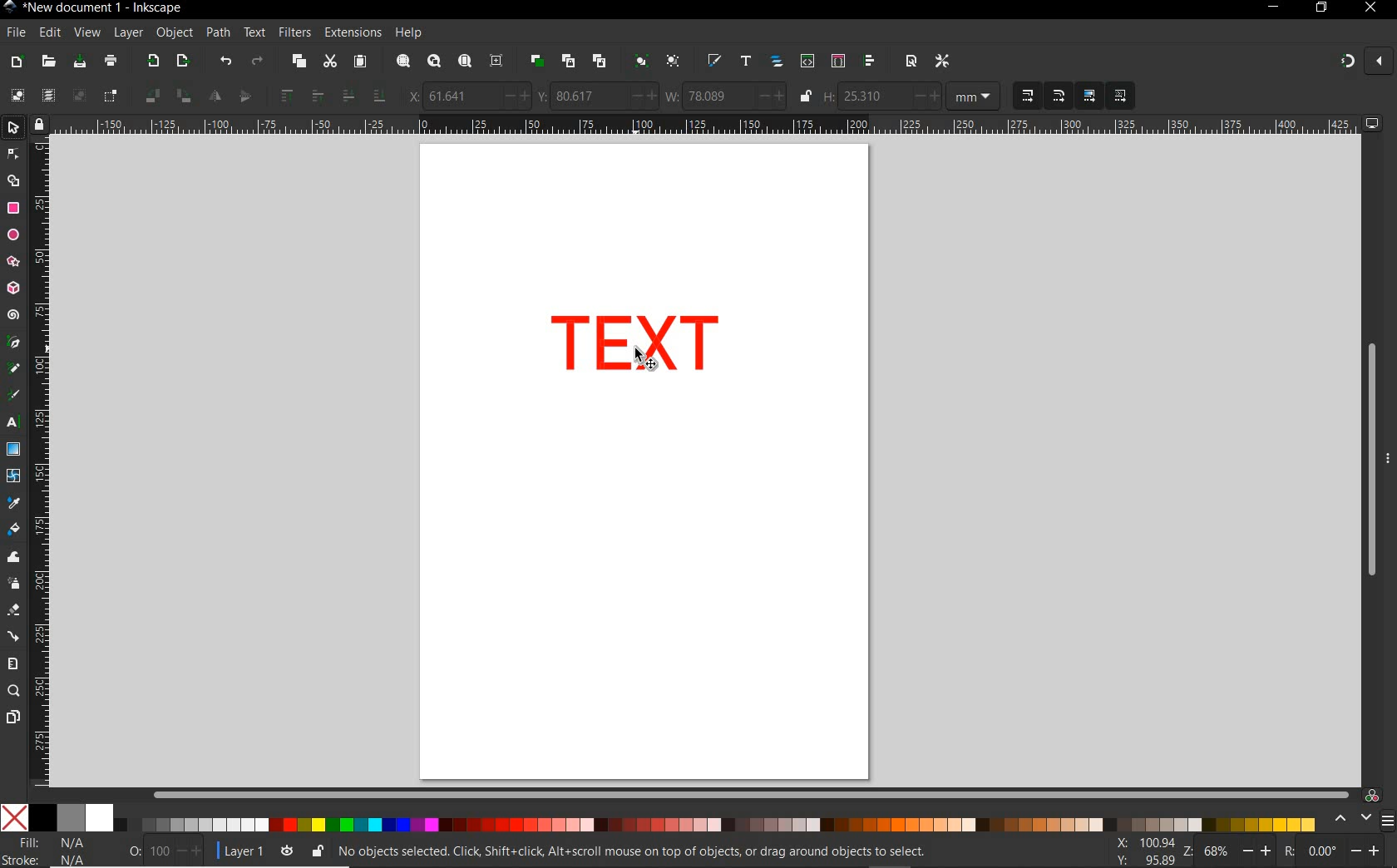  Describe the element at coordinates (659, 819) in the screenshot. I see `color palette` at that location.